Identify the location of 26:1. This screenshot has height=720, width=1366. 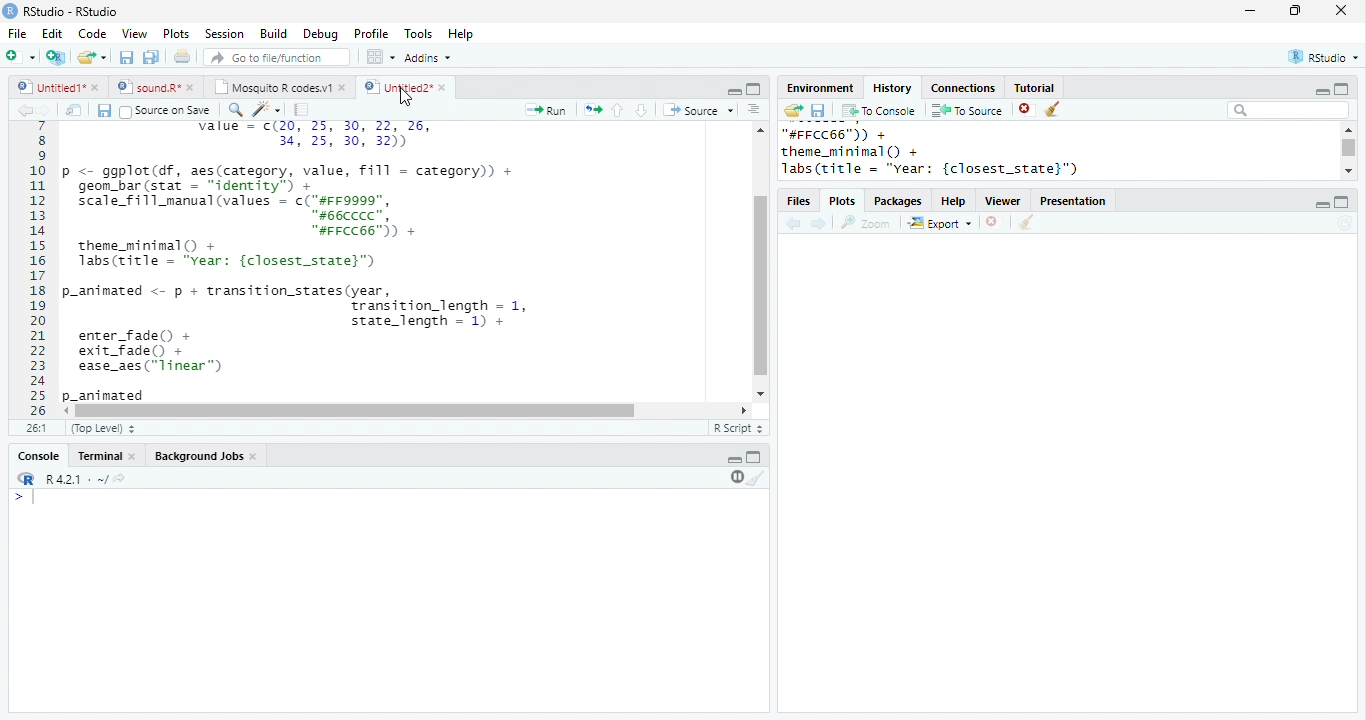
(37, 428).